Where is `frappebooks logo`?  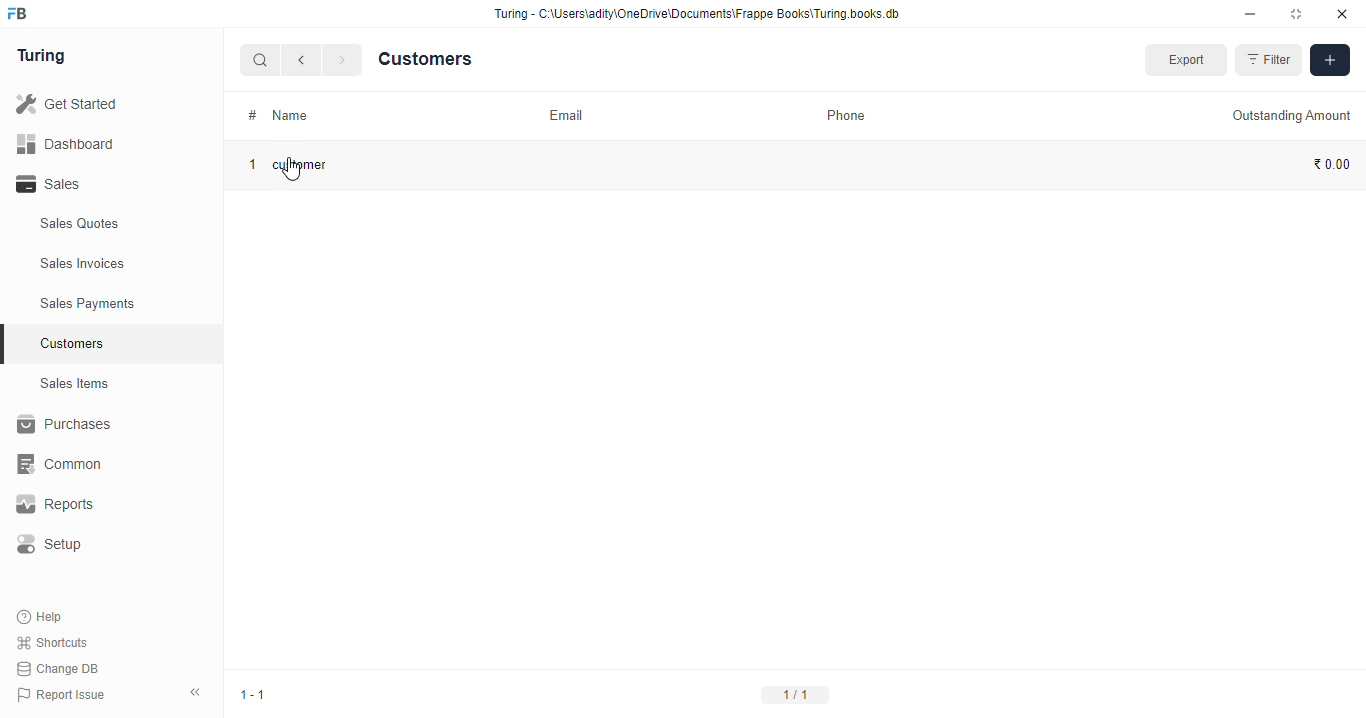
frappebooks logo is located at coordinates (23, 15).